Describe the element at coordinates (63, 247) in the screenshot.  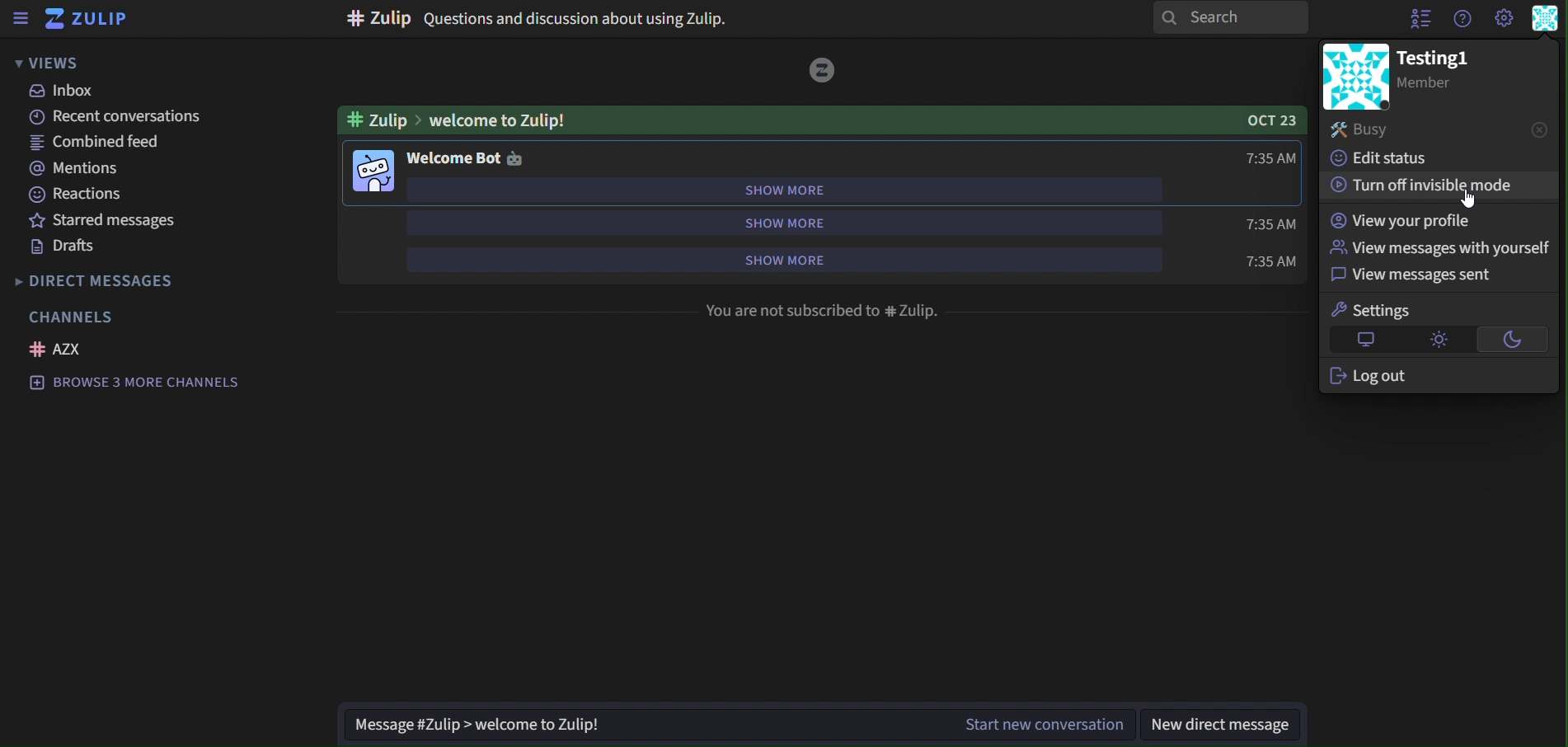
I see `drafts` at that location.